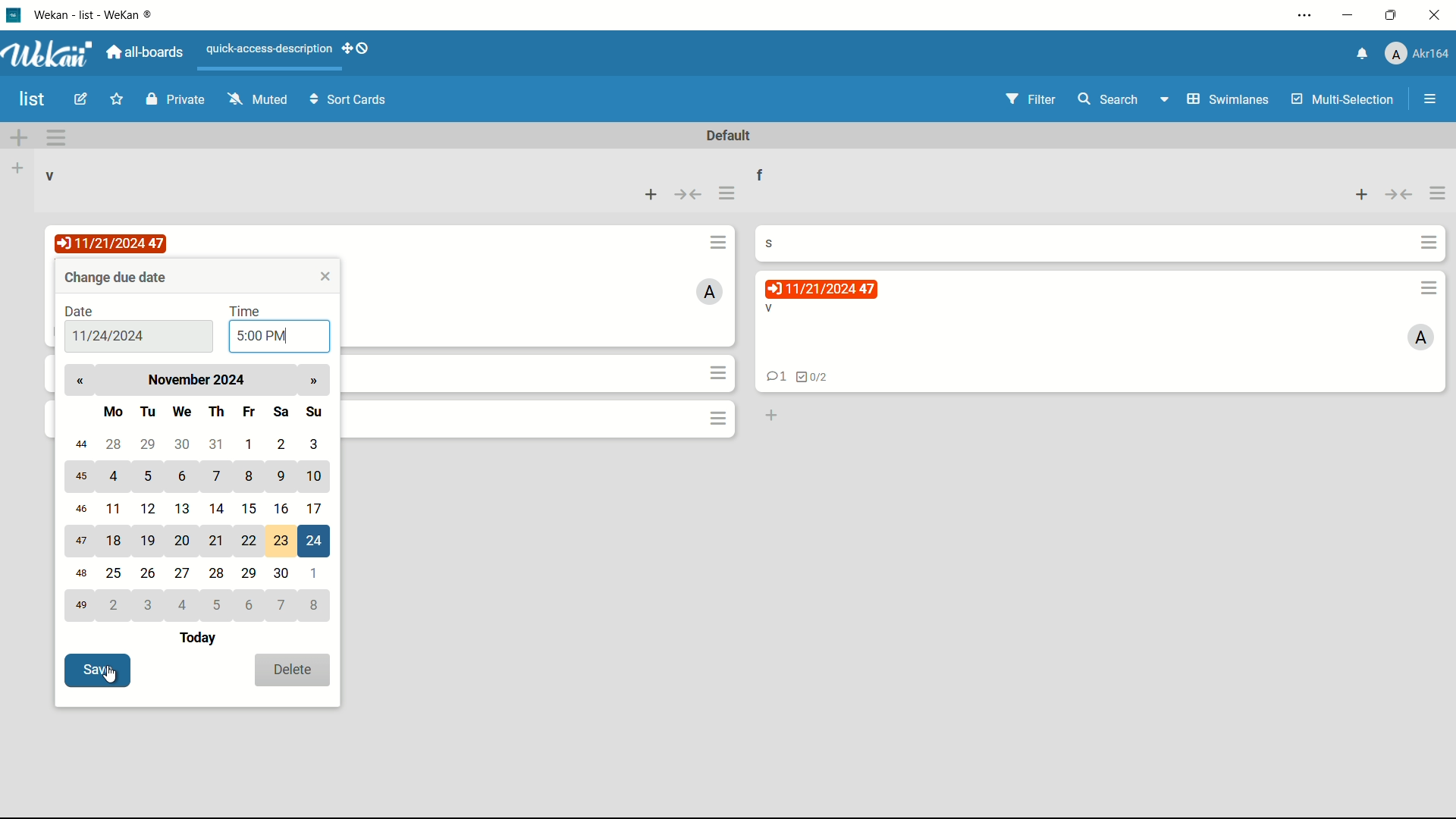 This screenshot has width=1456, height=819. Describe the element at coordinates (115, 102) in the screenshot. I see `add star to this board` at that location.